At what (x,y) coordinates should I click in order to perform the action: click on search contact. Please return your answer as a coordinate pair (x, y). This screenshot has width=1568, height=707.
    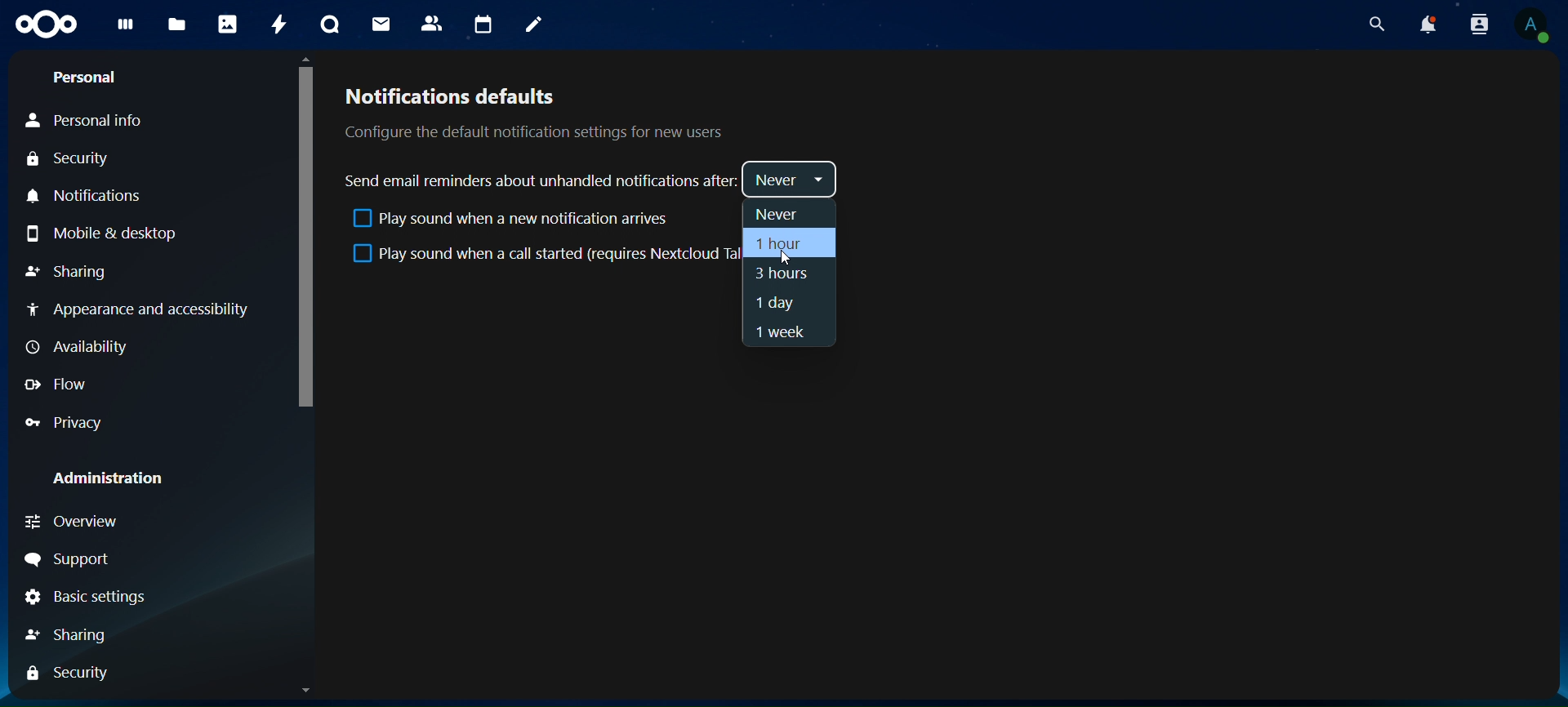
    Looking at the image, I should click on (1477, 23).